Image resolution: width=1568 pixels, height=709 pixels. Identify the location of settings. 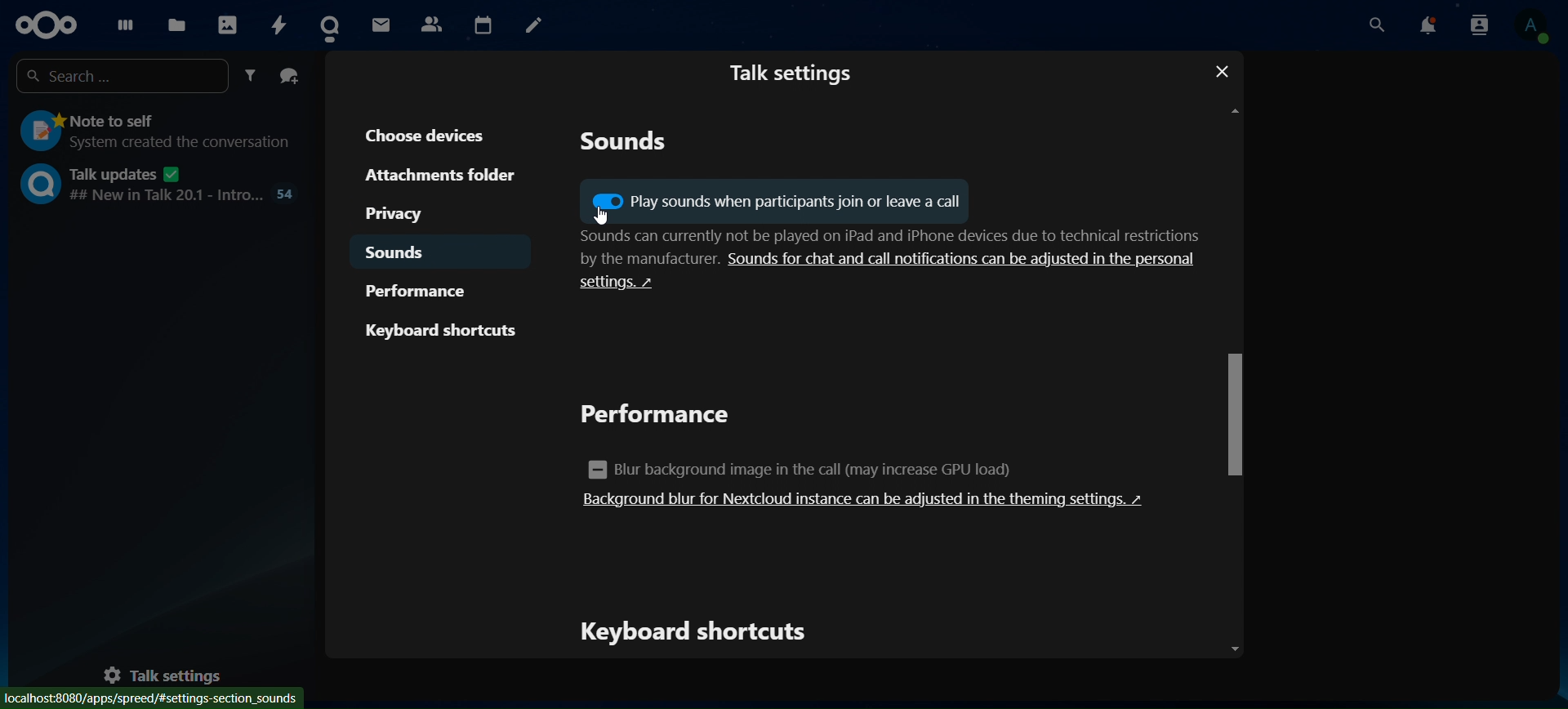
(632, 288).